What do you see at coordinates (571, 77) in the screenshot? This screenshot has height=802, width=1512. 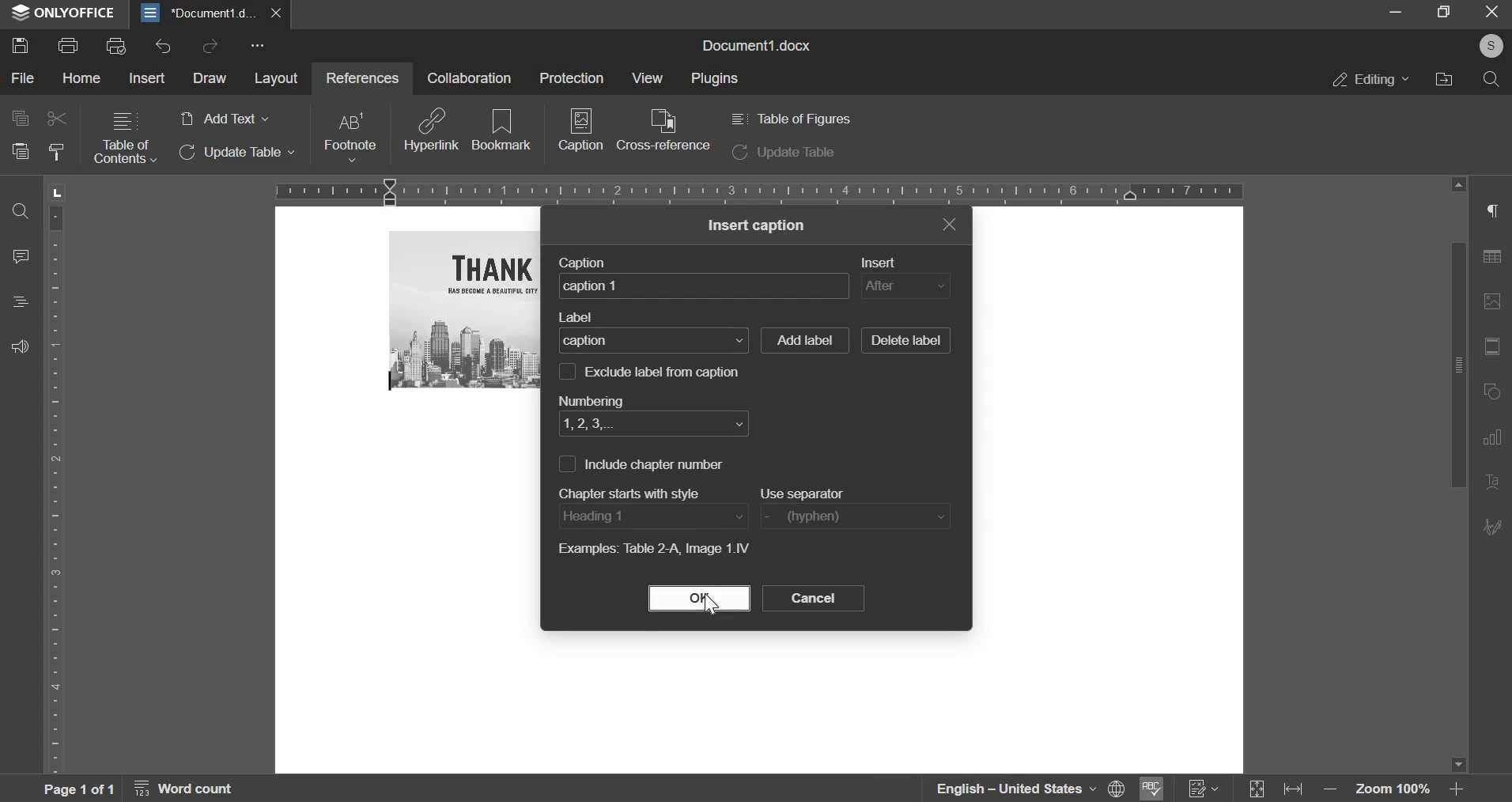 I see `protection` at bounding box center [571, 77].